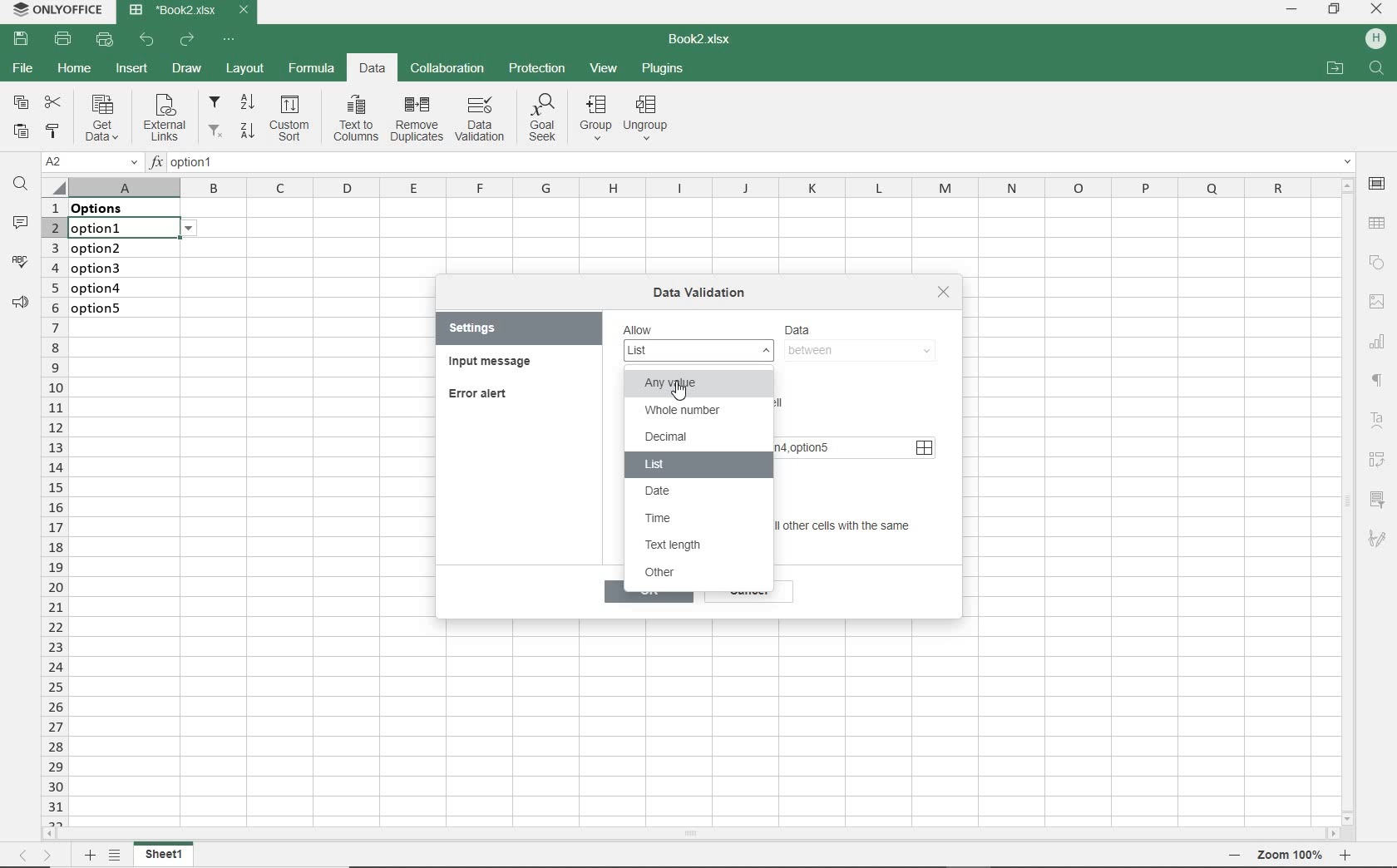 Image resolution: width=1397 pixels, height=868 pixels. What do you see at coordinates (1292, 855) in the screenshot?
I see `Zoom 100%` at bounding box center [1292, 855].